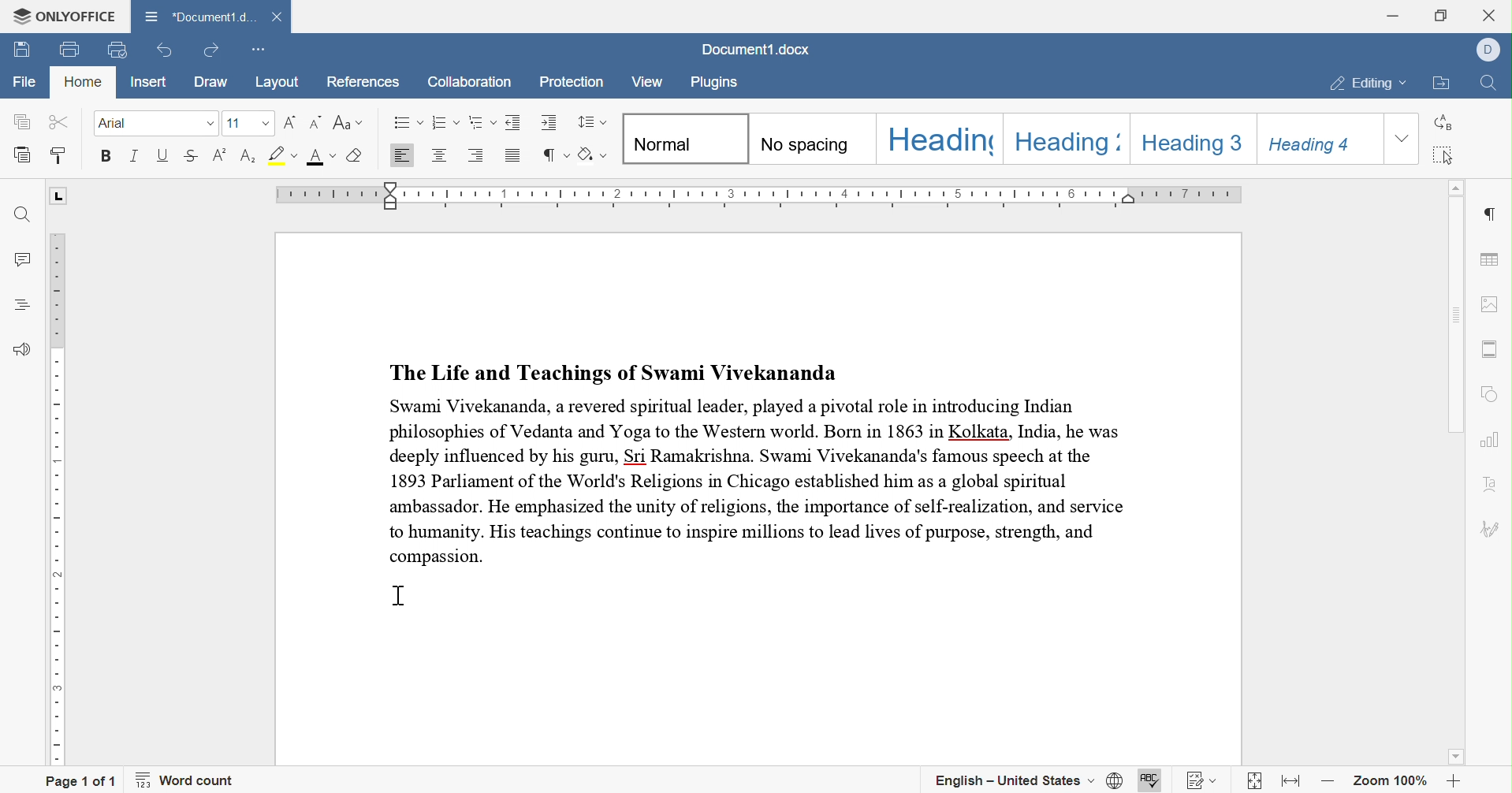 Image resolution: width=1512 pixels, height=793 pixels. I want to click on copy style, so click(58, 155).